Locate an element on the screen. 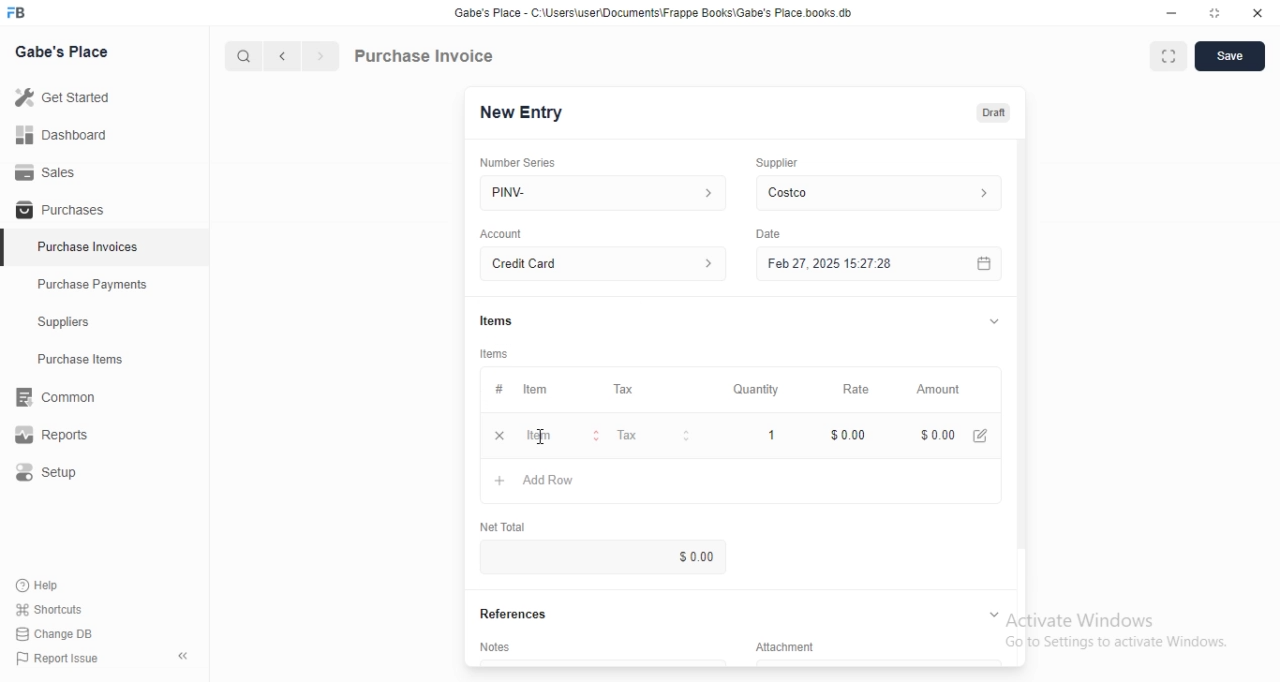 This screenshot has height=682, width=1280. Add Row is located at coordinates (741, 481).